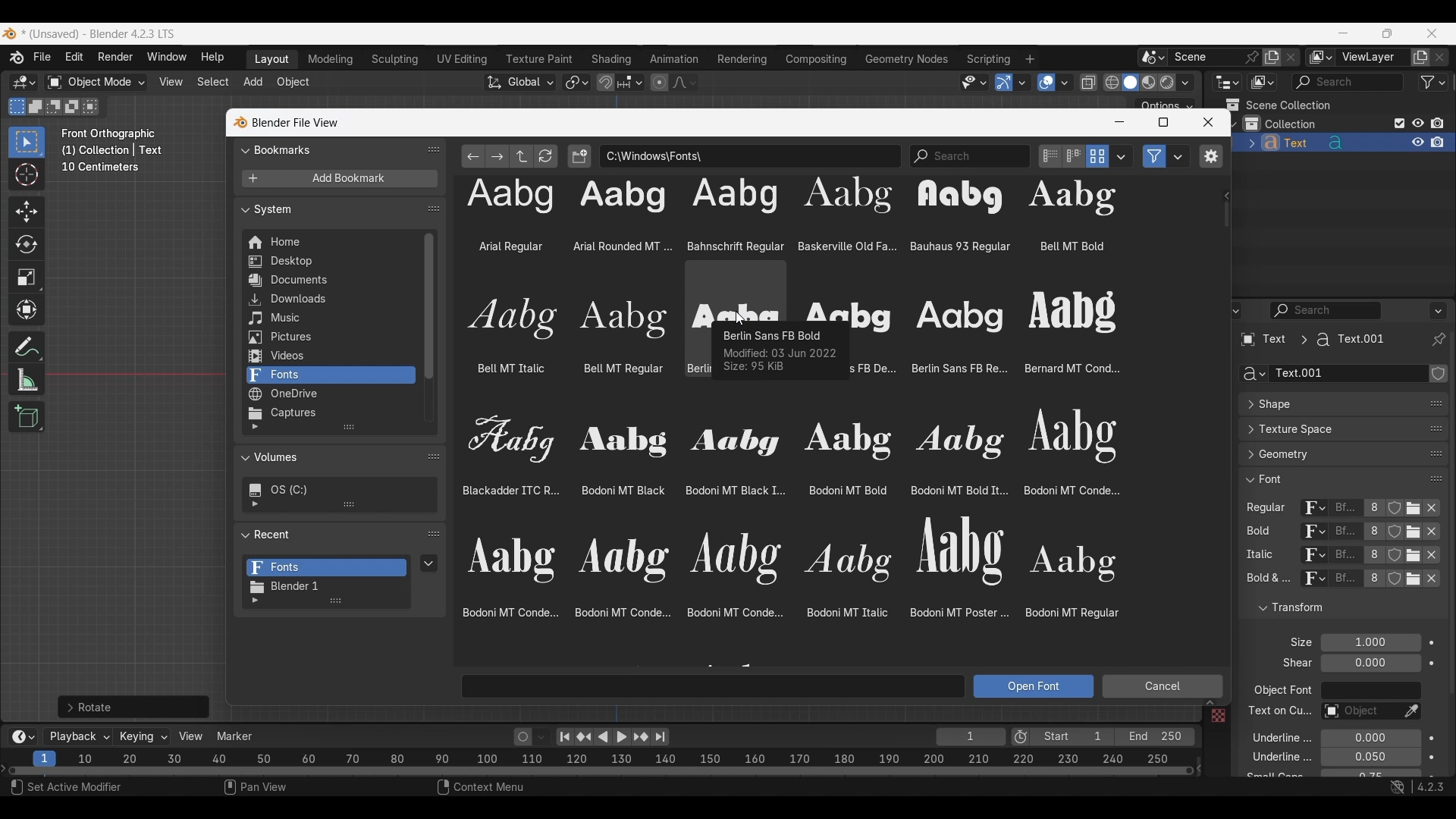  What do you see at coordinates (817, 59) in the screenshot?
I see `Compositing workspace` at bounding box center [817, 59].